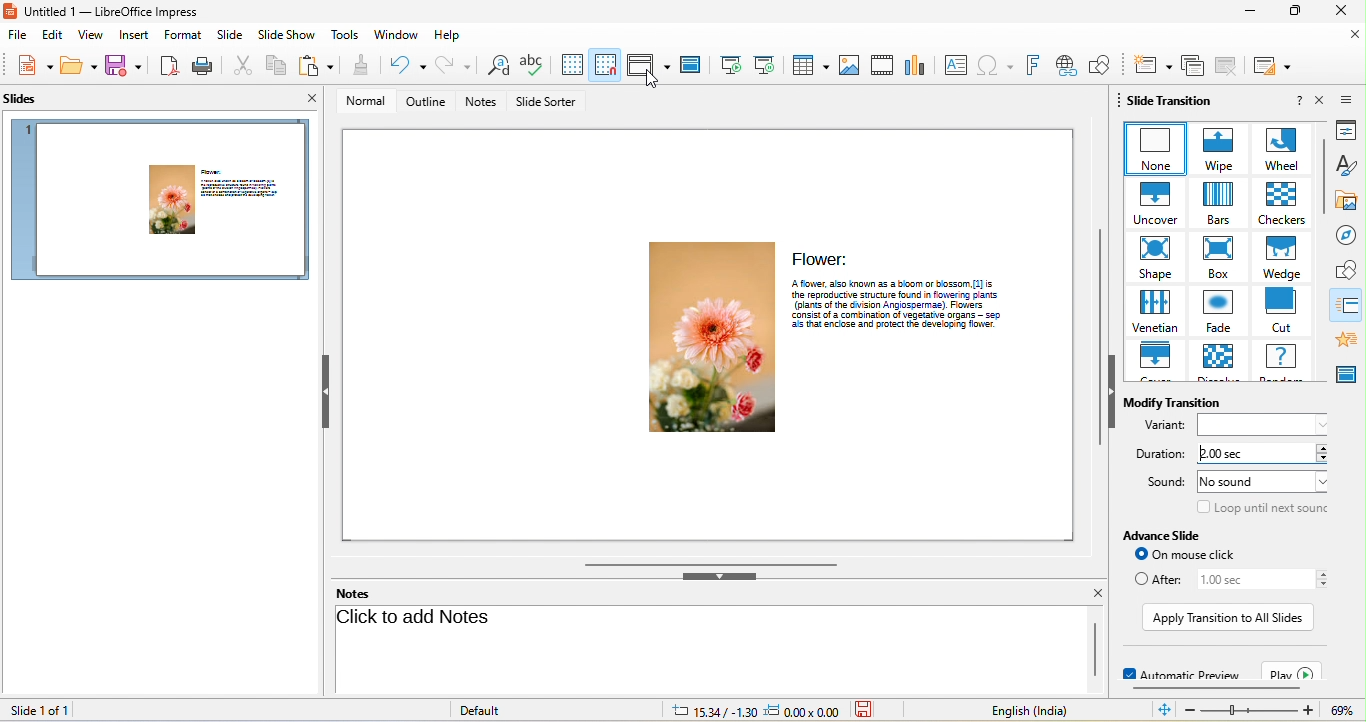 Image resolution: width=1366 pixels, height=722 pixels. What do you see at coordinates (1179, 671) in the screenshot?
I see `automatic preview` at bounding box center [1179, 671].